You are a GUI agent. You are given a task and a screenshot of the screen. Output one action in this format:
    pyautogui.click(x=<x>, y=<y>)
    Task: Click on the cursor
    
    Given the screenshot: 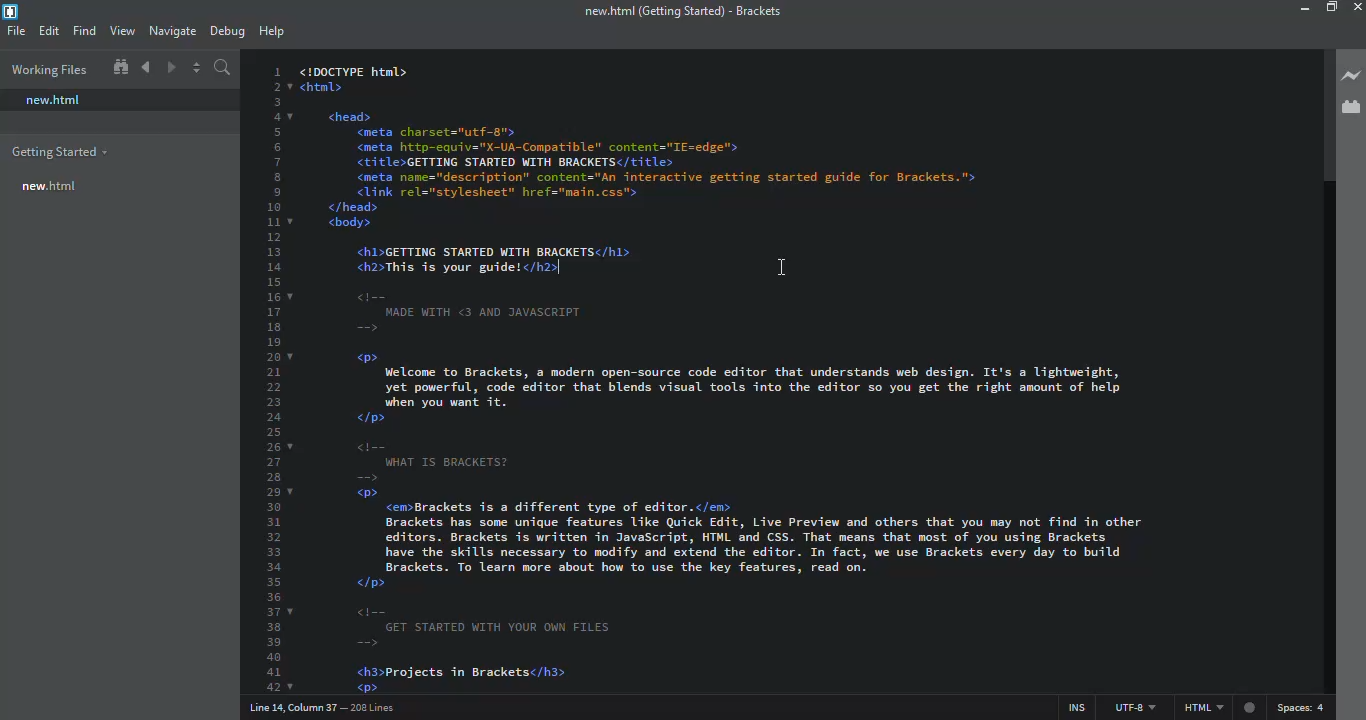 What is the action you would take?
    pyautogui.click(x=783, y=269)
    